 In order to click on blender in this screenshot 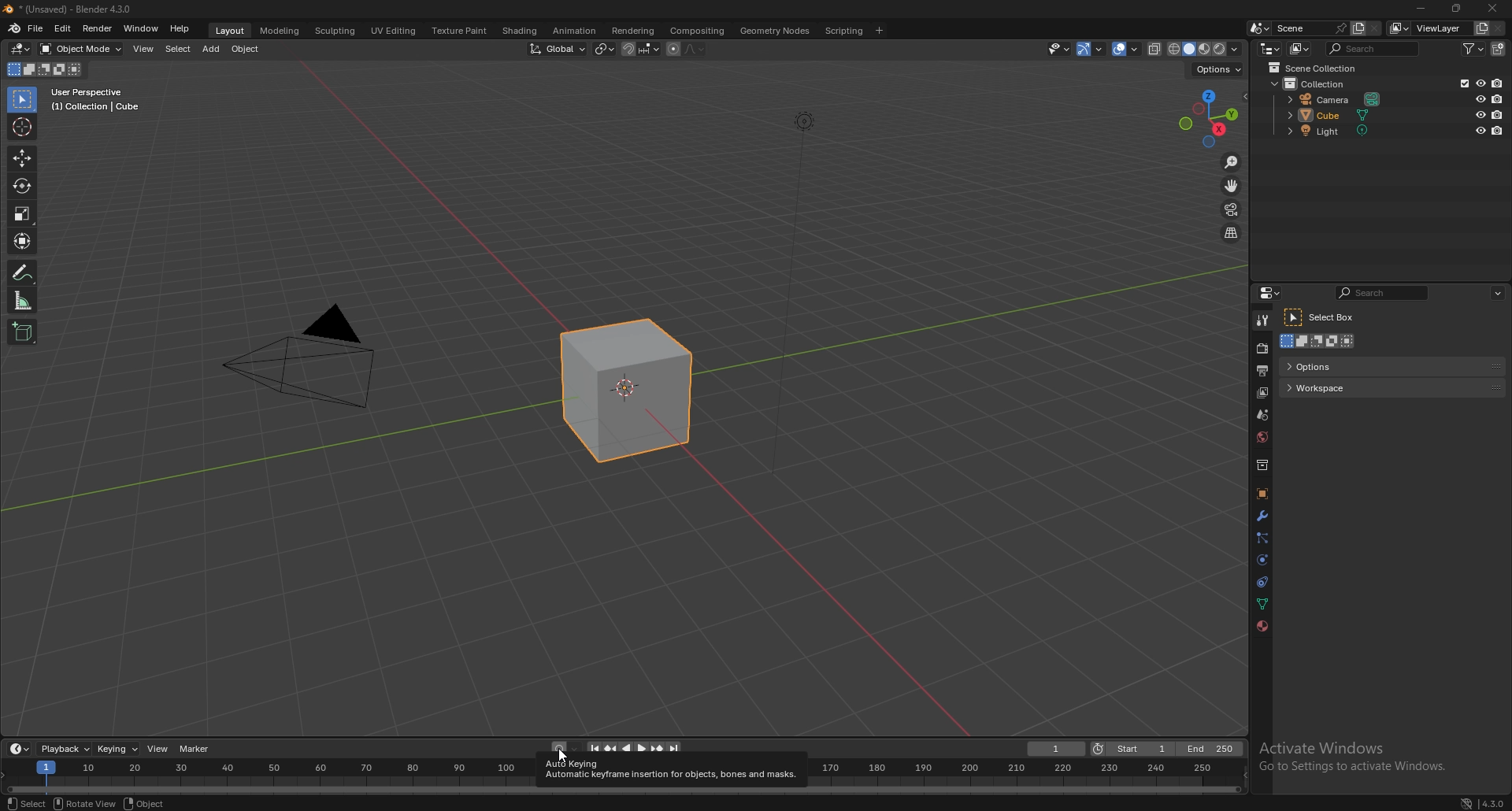, I will do `click(14, 28)`.